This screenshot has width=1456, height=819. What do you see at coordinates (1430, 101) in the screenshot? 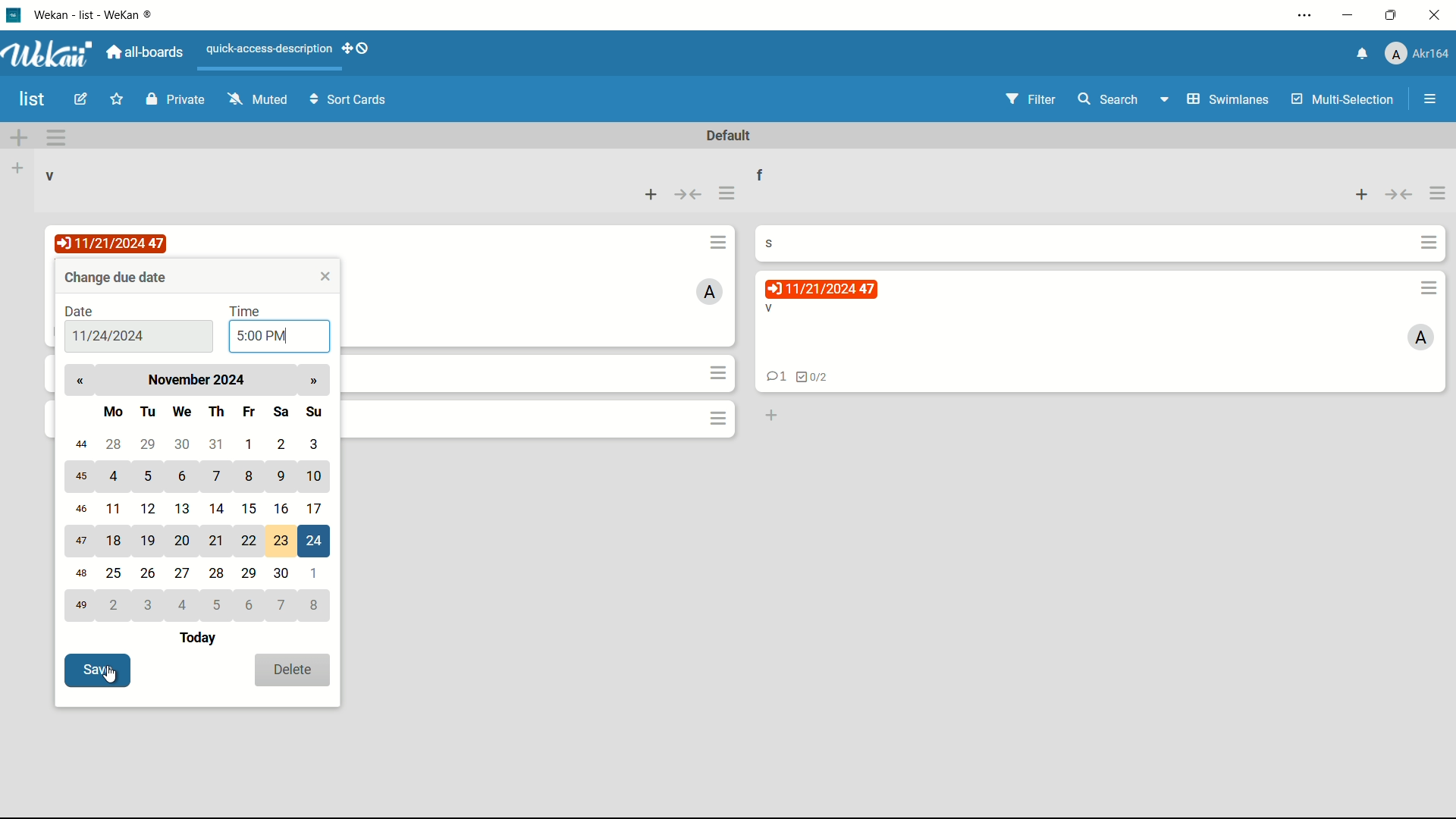
I see `open/close sidebar` at bounding box center [1430, 101].